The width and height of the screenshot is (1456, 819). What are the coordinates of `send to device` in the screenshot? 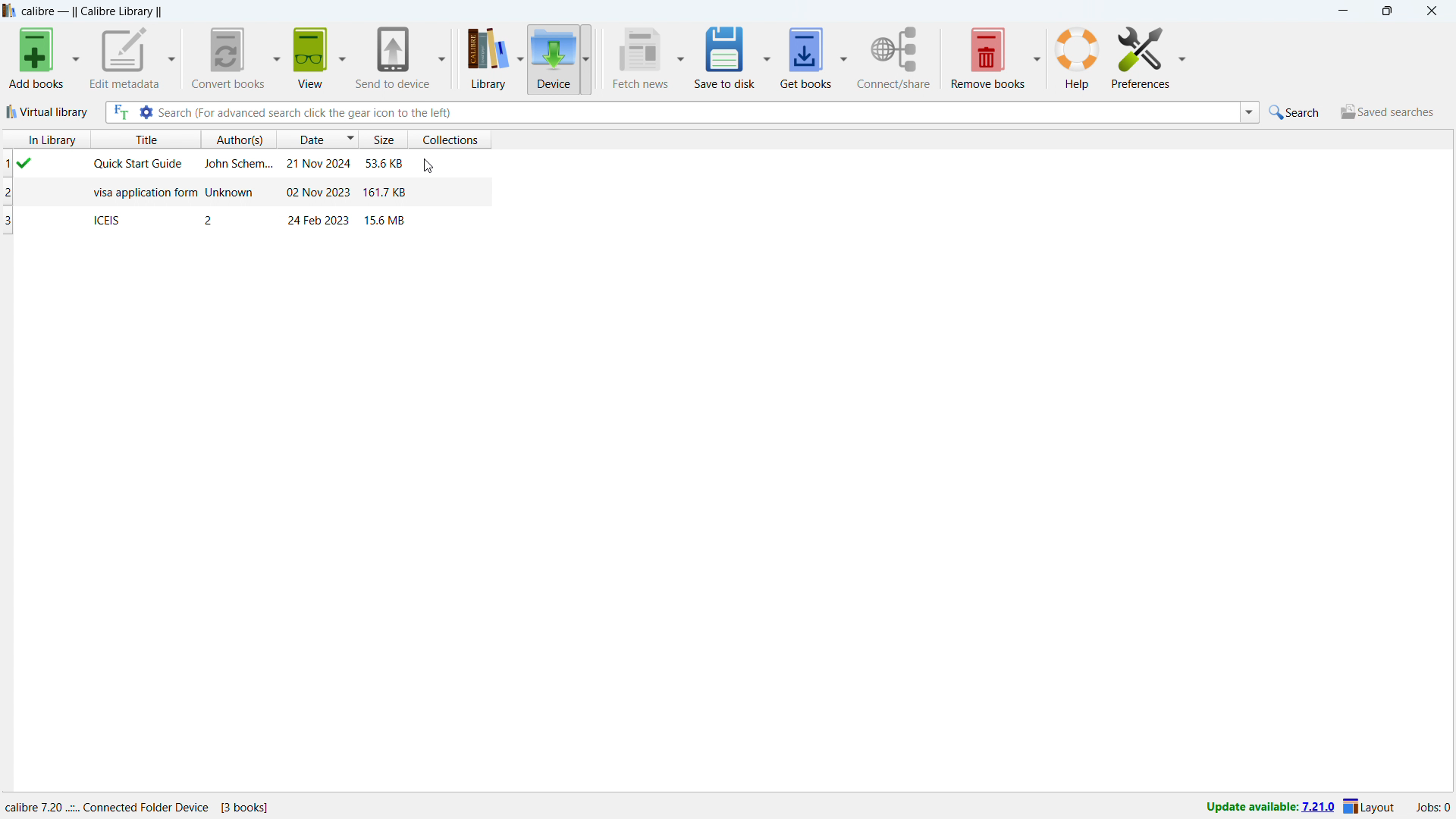 It's located at (393, 56).